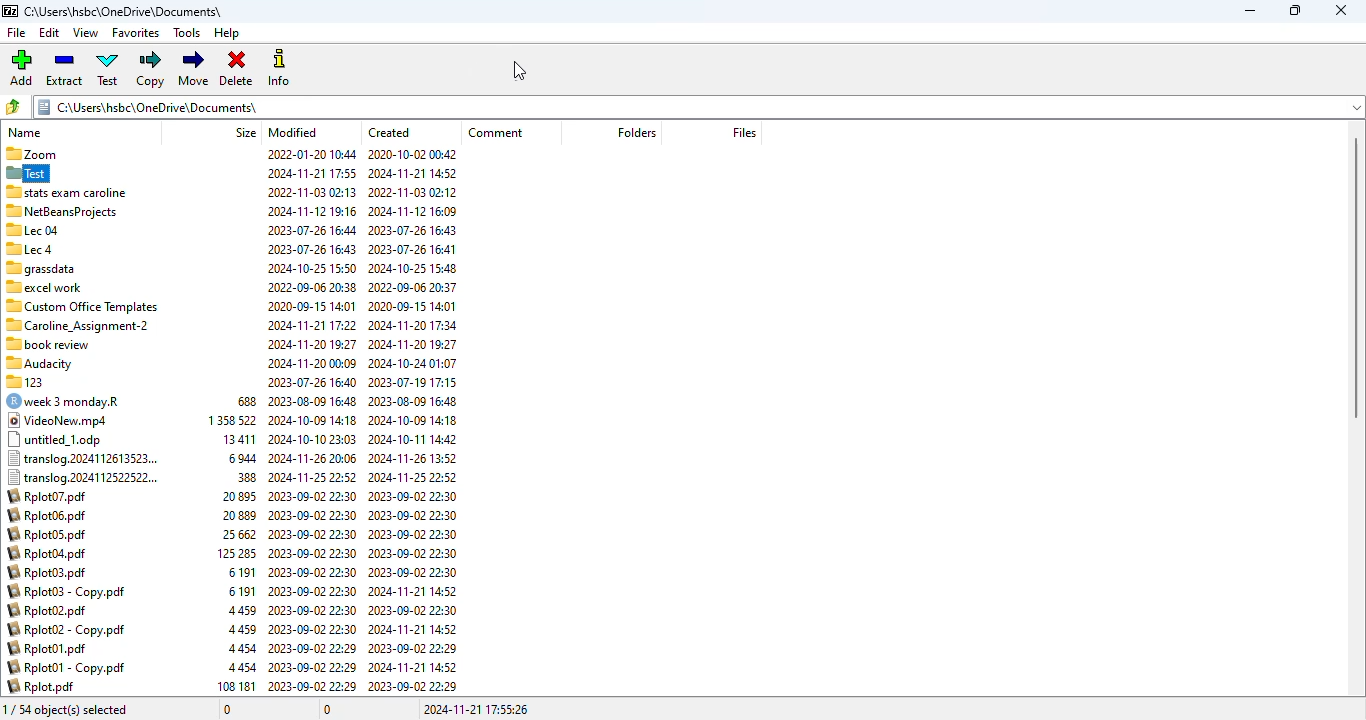 This screenshot has width=1366, height=720. Describe the element at coordinates (413, 229) in the screenshot. I see `2023-07-26 16:43` at that location.